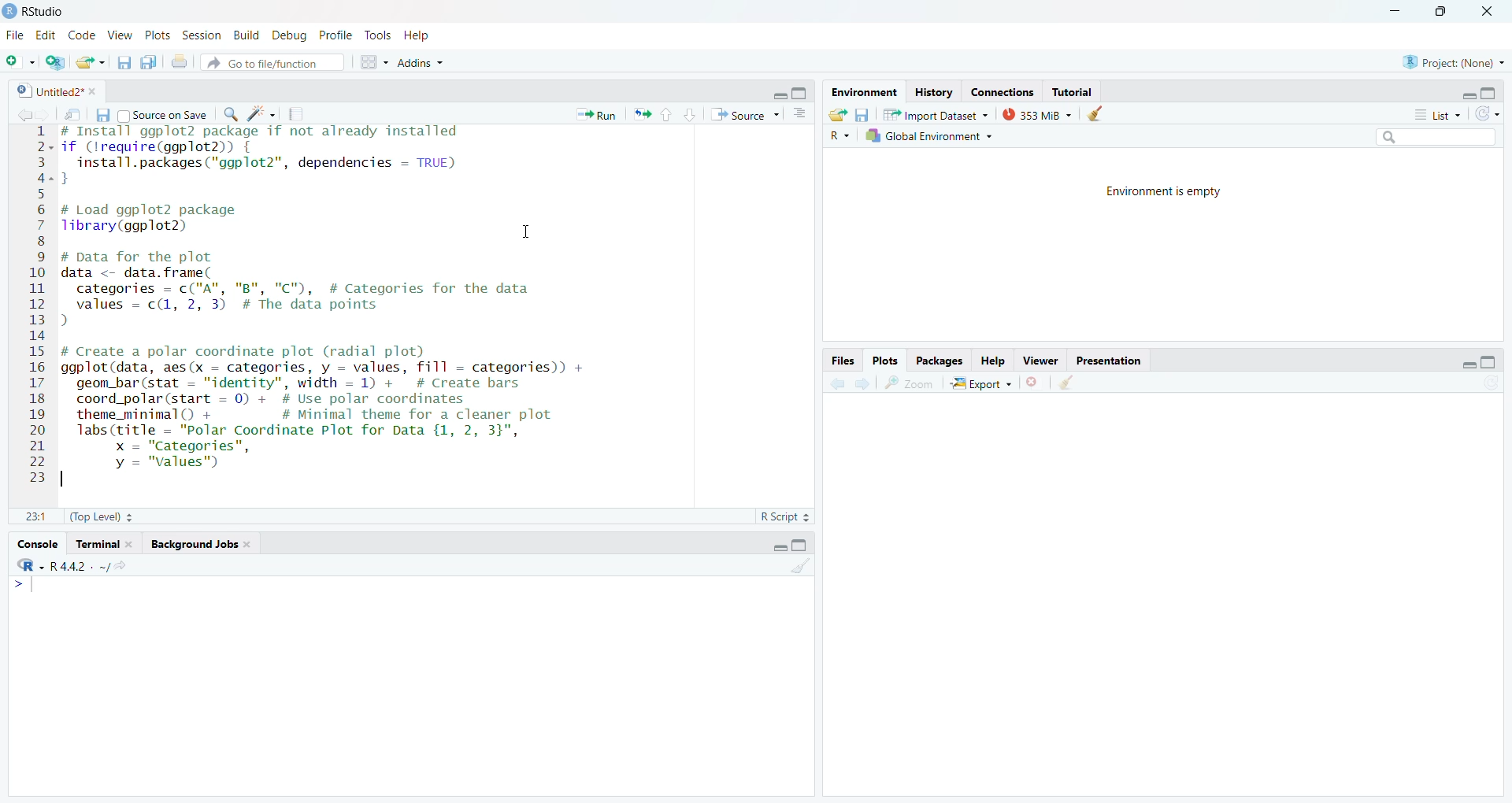 This screenshot has height=803, width=1512. What do you see at coordinates (1435, 113) in the screenshot?
I see `list` at bounding box center [1435, 113].